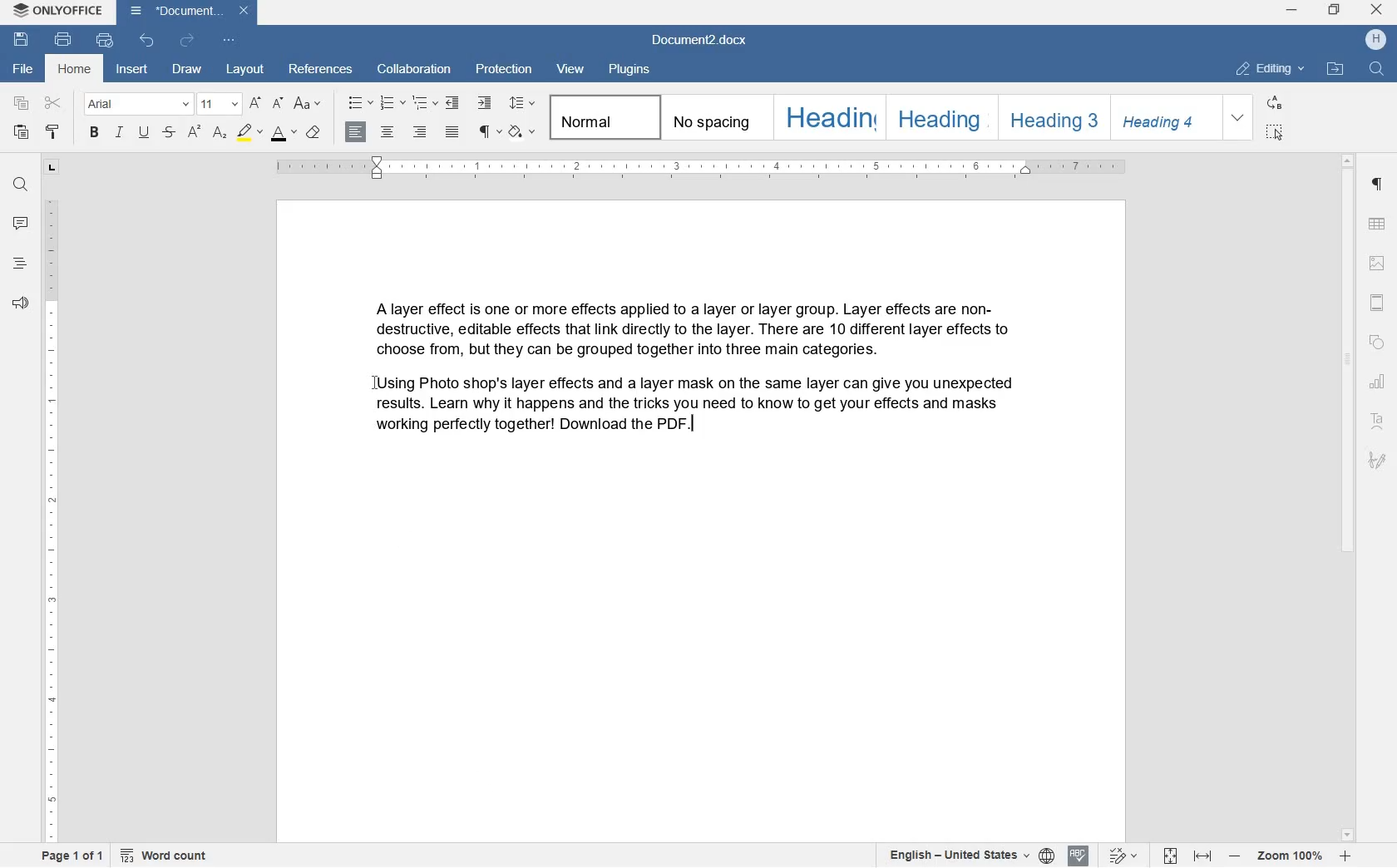 This screenshot has width=1397, height=868. Describe the element at coordinates (1273, 133) in the screenshot. I see `SELECT ALL` at that location.